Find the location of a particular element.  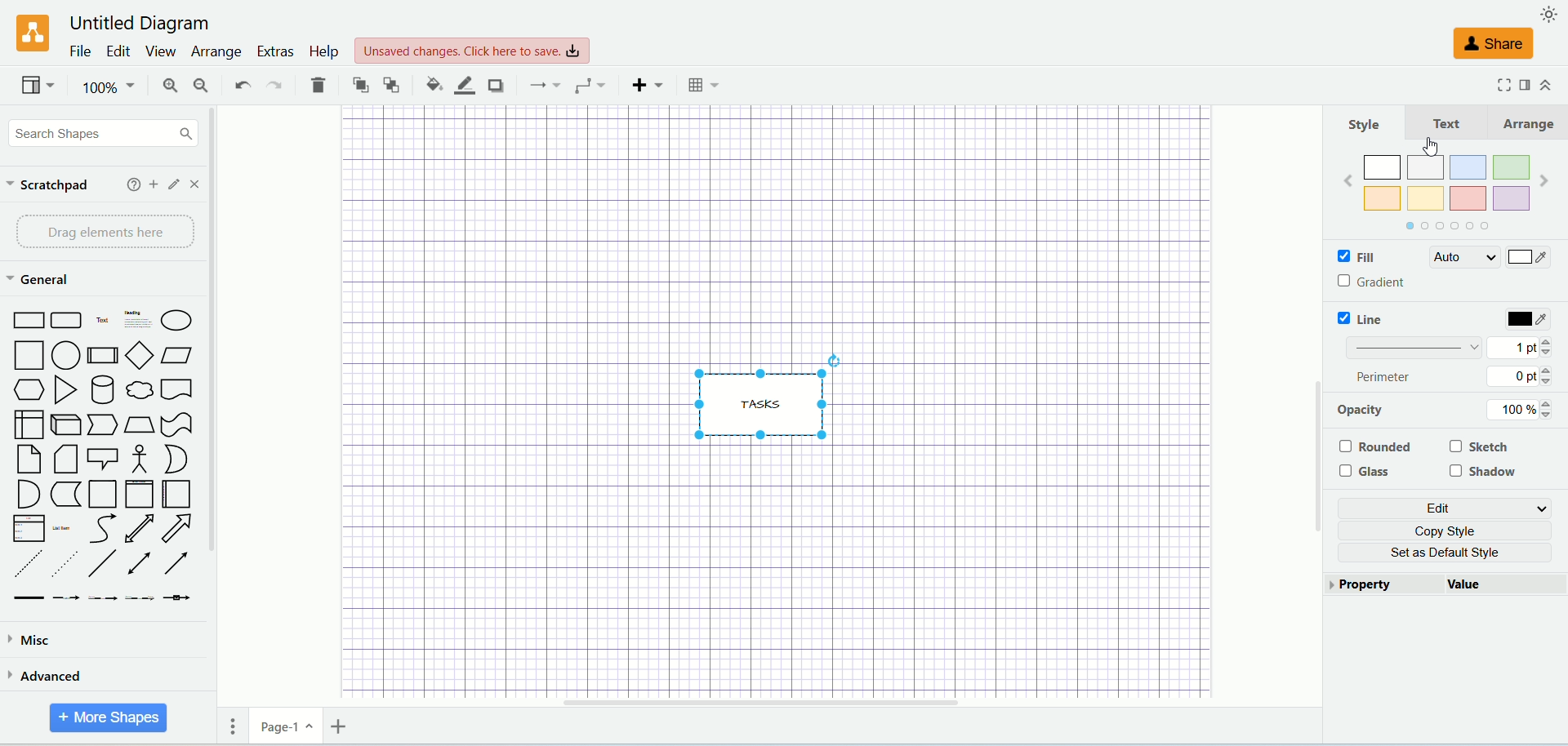

line is located at coordinates (1358, 320).